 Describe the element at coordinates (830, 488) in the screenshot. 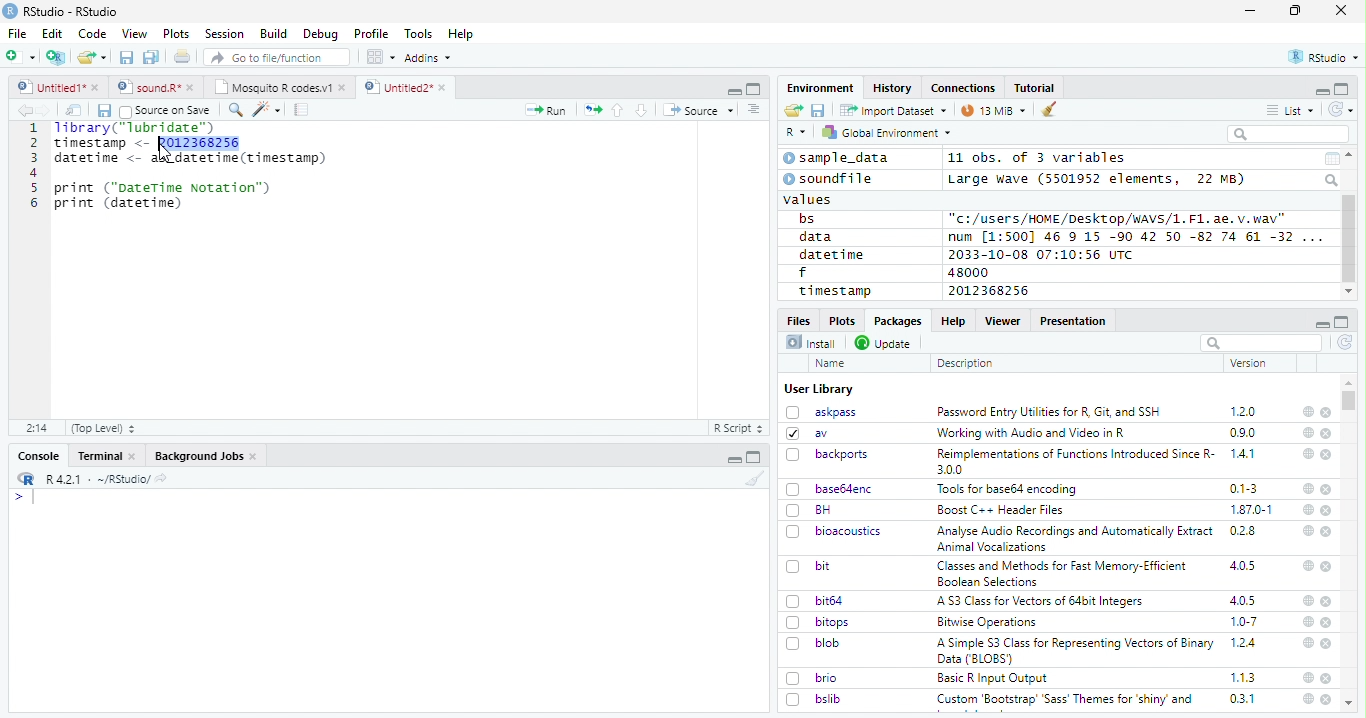

I see `base64enc` at that location.